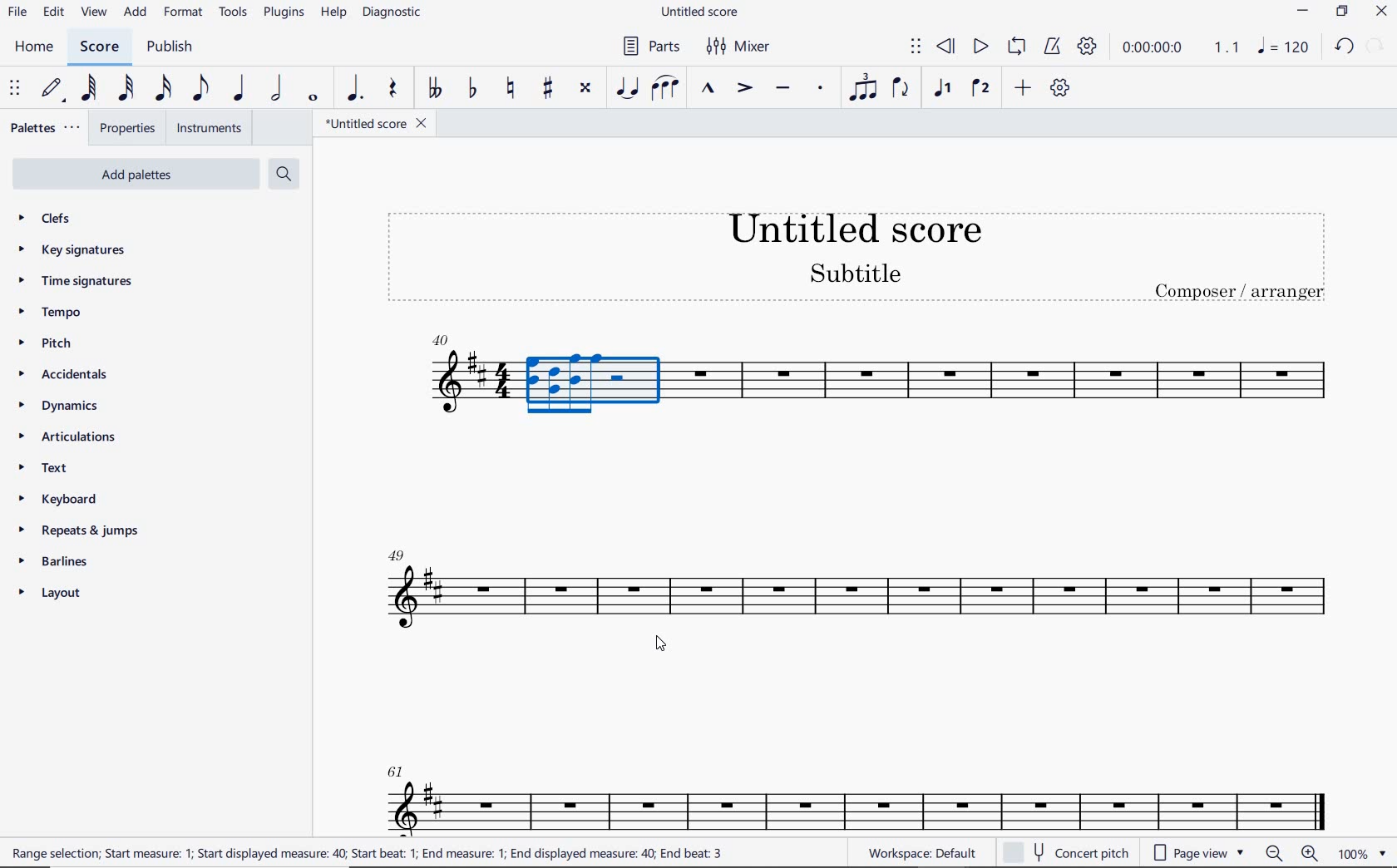 The width and height of the screenshot is (1397, 868). I want to click on cursor, so click(664, 647).